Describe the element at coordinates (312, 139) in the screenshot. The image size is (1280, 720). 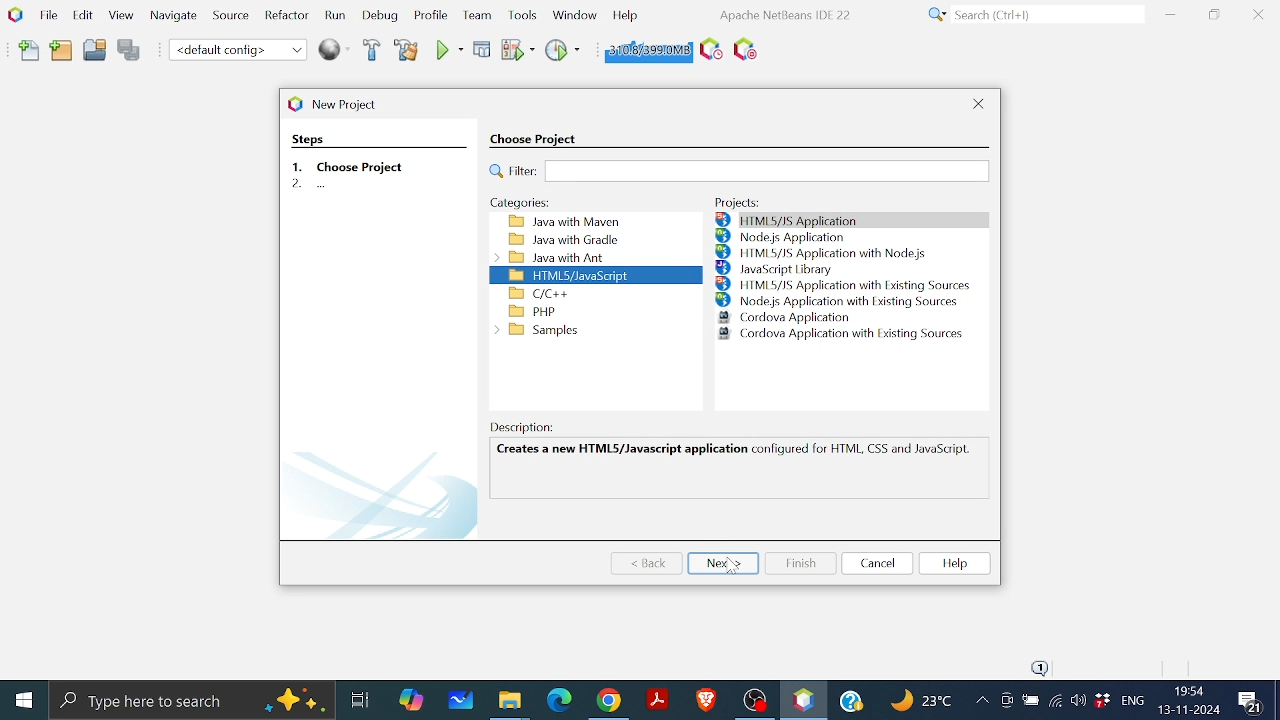
I see `steps` at that location.